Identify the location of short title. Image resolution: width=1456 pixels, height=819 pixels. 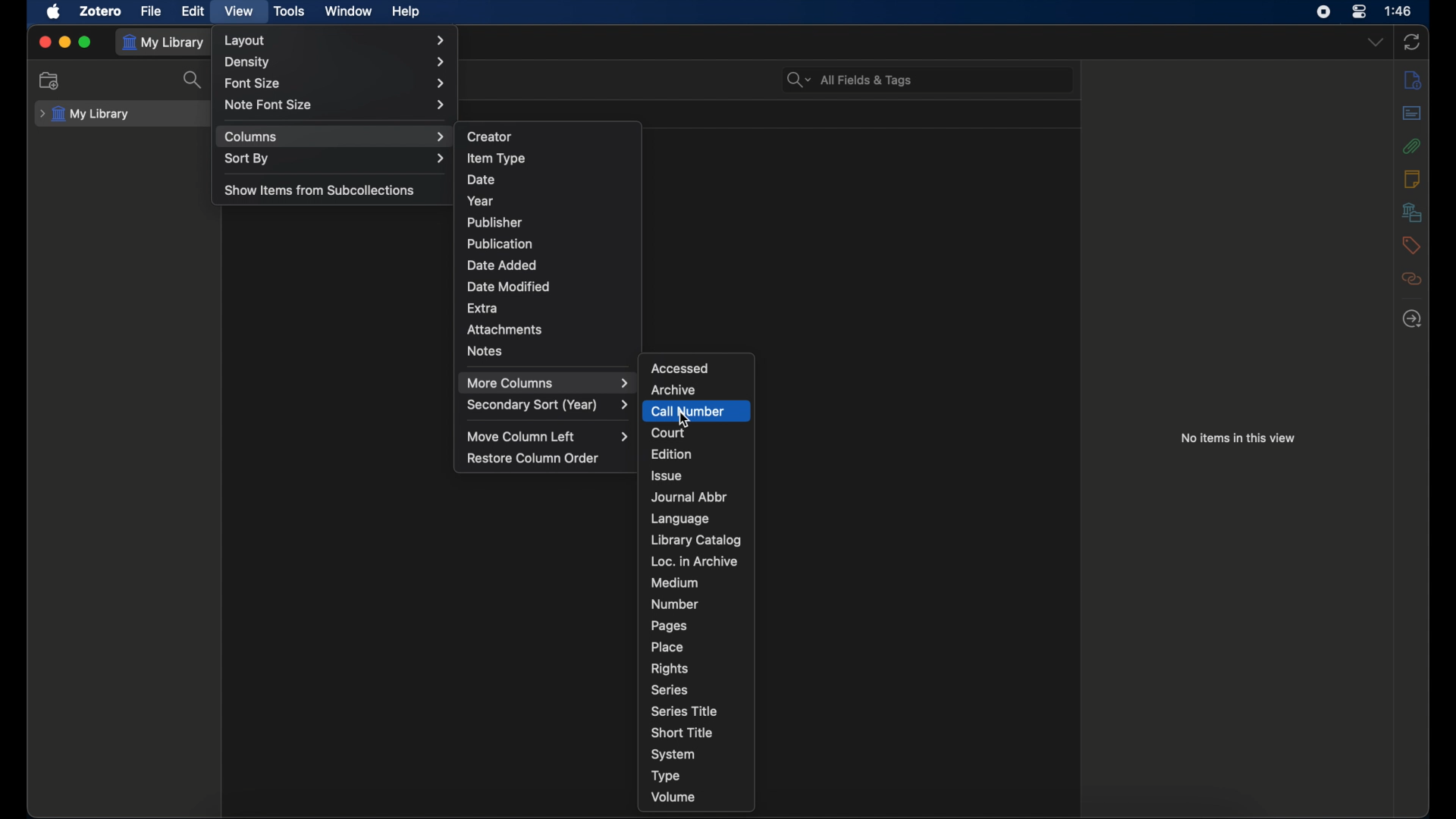
(682, 731).